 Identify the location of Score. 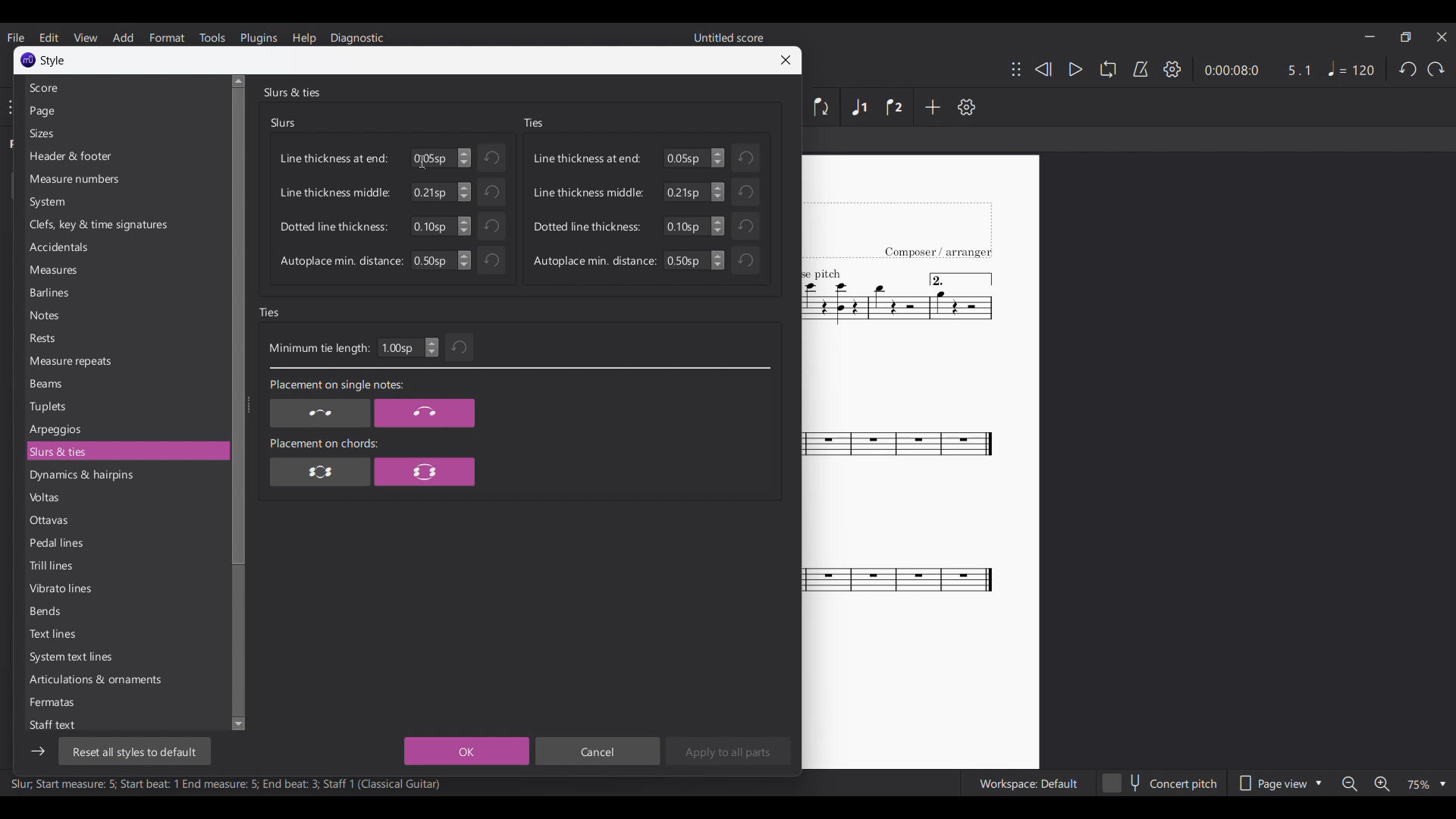
(124, 88).